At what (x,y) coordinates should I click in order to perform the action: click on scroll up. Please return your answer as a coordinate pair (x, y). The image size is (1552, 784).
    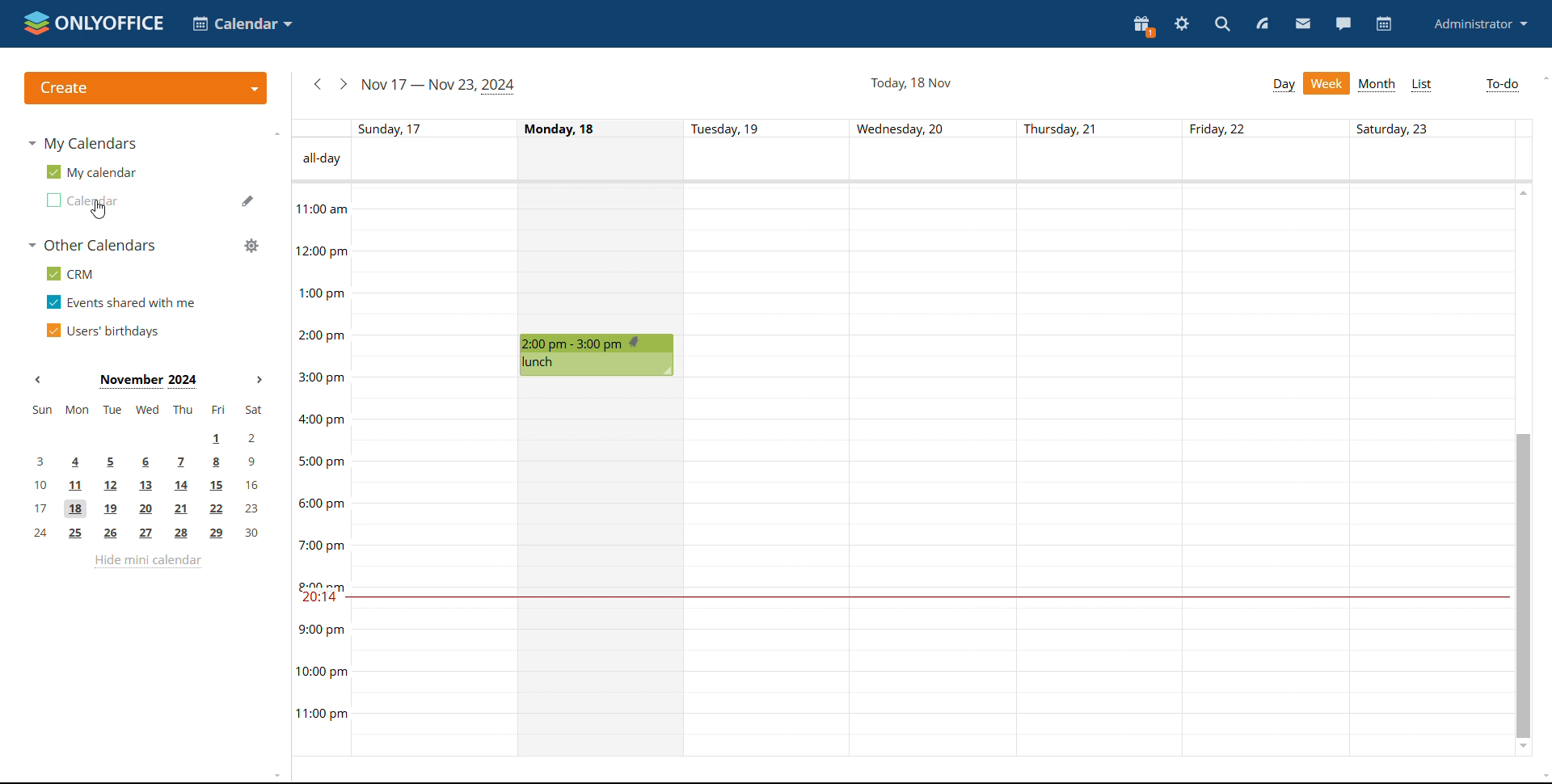
    Looking at the image, I should click on (1520, 190).